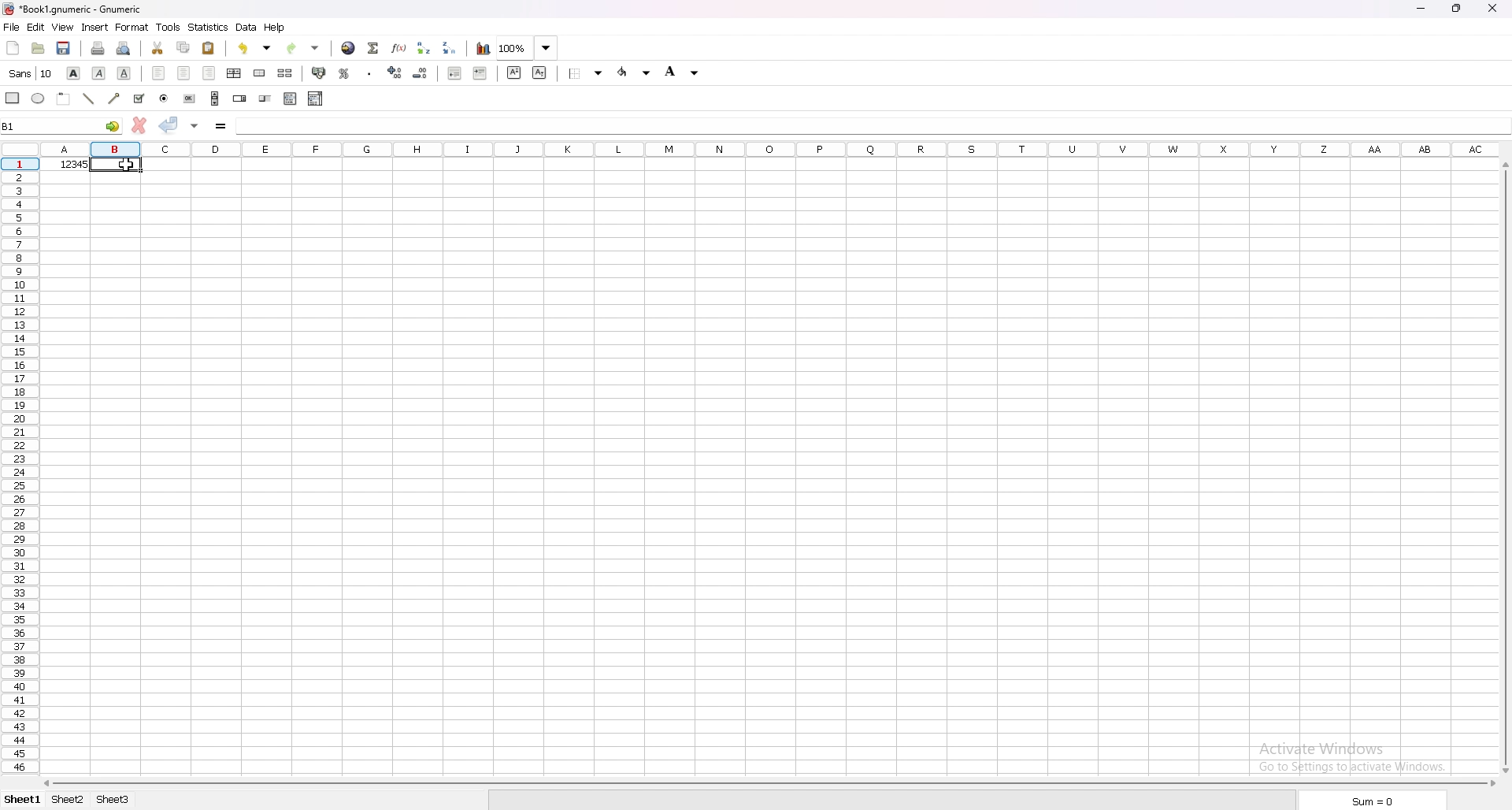 The height and width of the screenshot is (810, 1512). What do you see at coordinates (350, 47) in the screenshot?
I see `hyperlink` at bounding box center [350, 47].